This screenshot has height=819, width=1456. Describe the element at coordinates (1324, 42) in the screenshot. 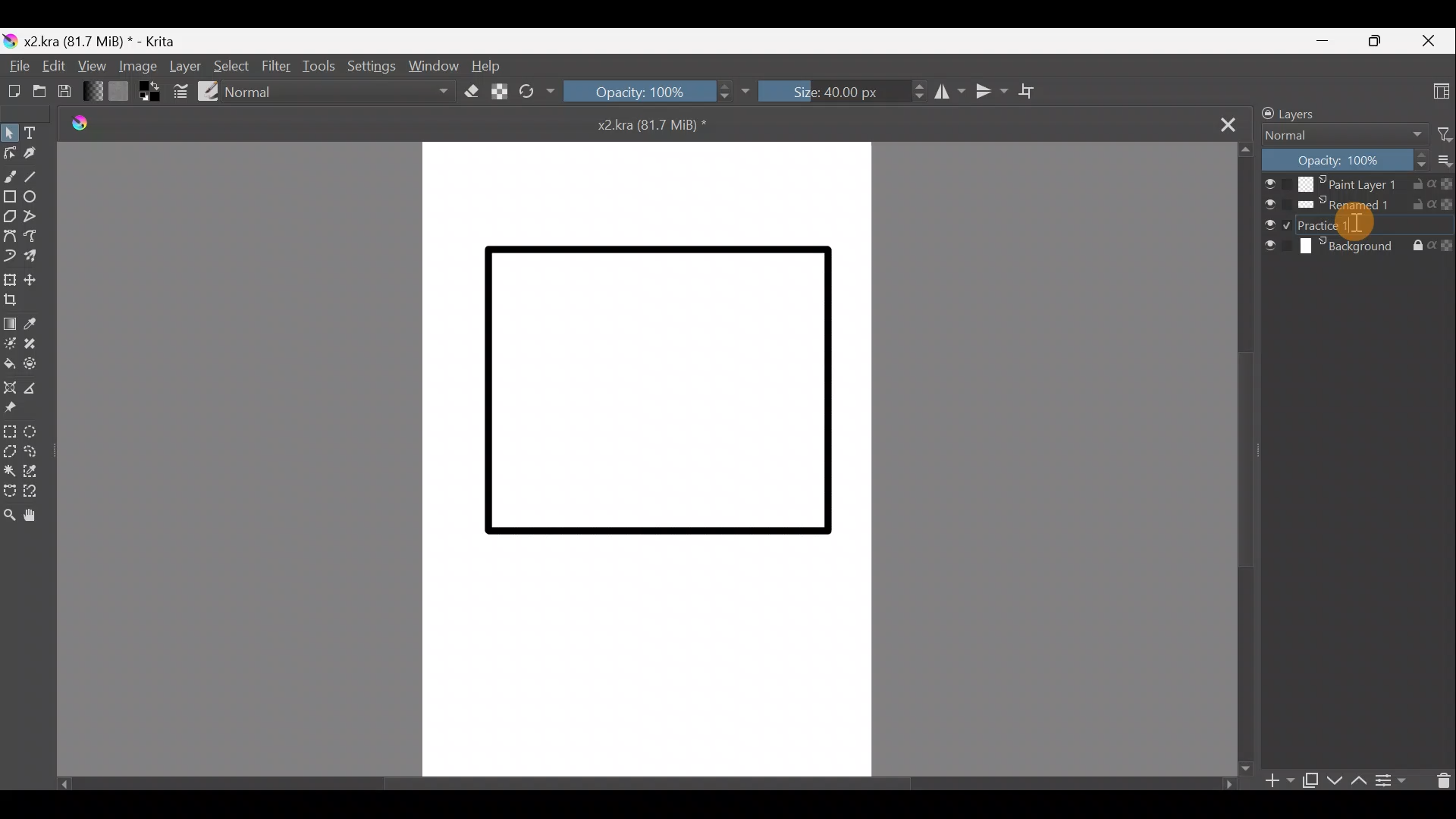

I see `Minimize` at that location.